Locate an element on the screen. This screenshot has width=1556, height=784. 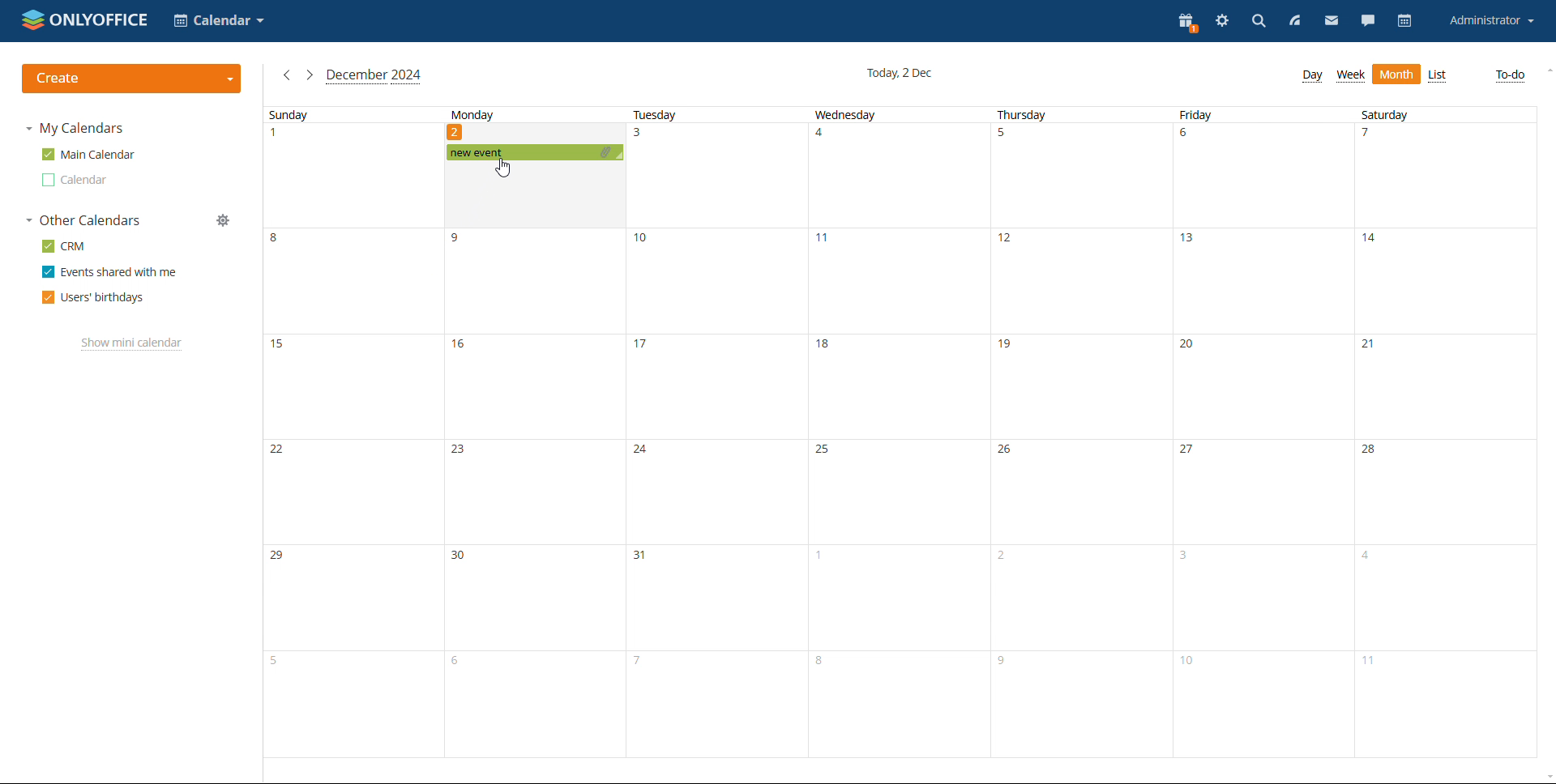
1 is located at coordinates (820, 559).